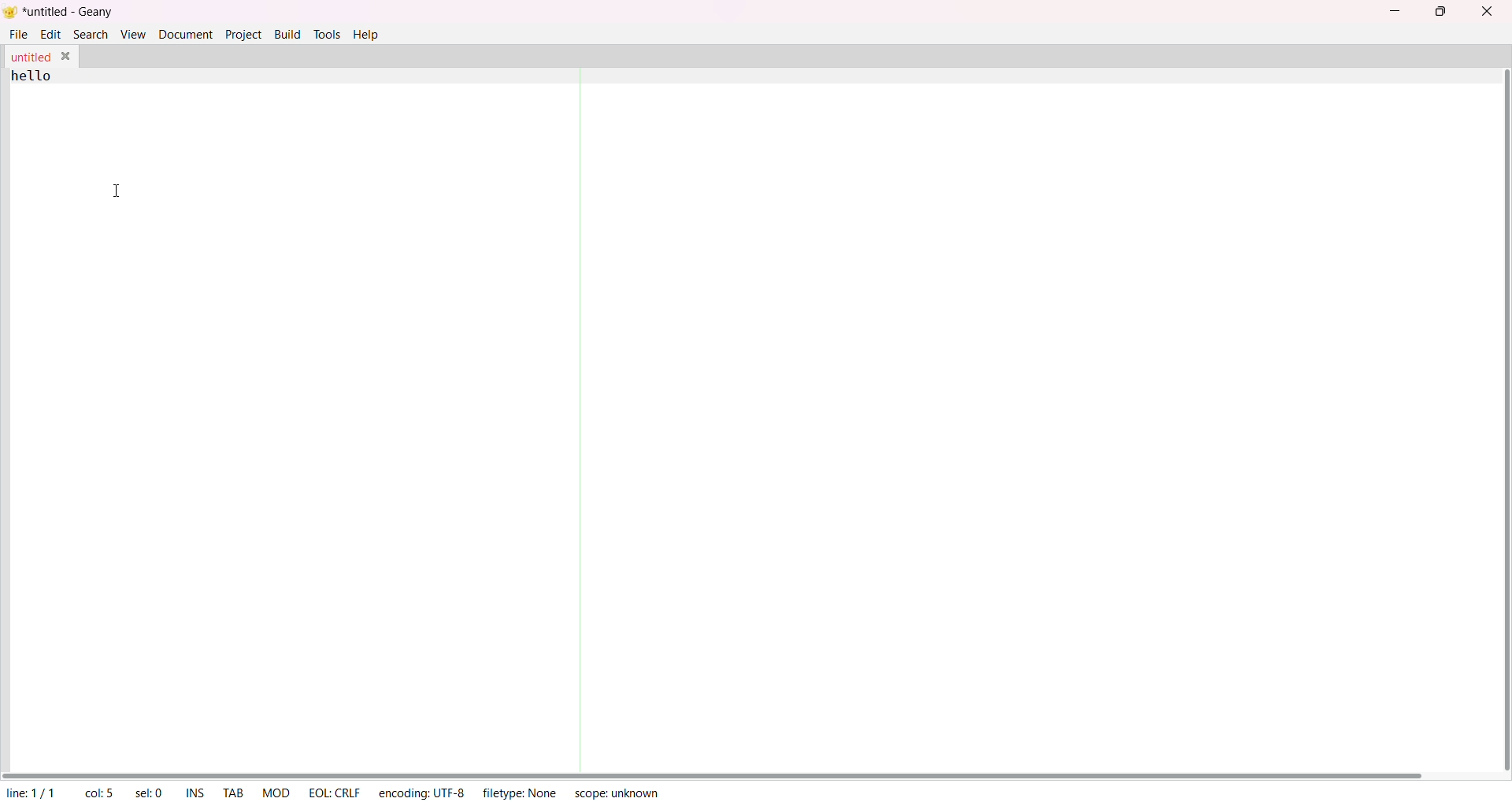 The image size is (1512, 802). I want to click on column: 10, so click(102, 792).